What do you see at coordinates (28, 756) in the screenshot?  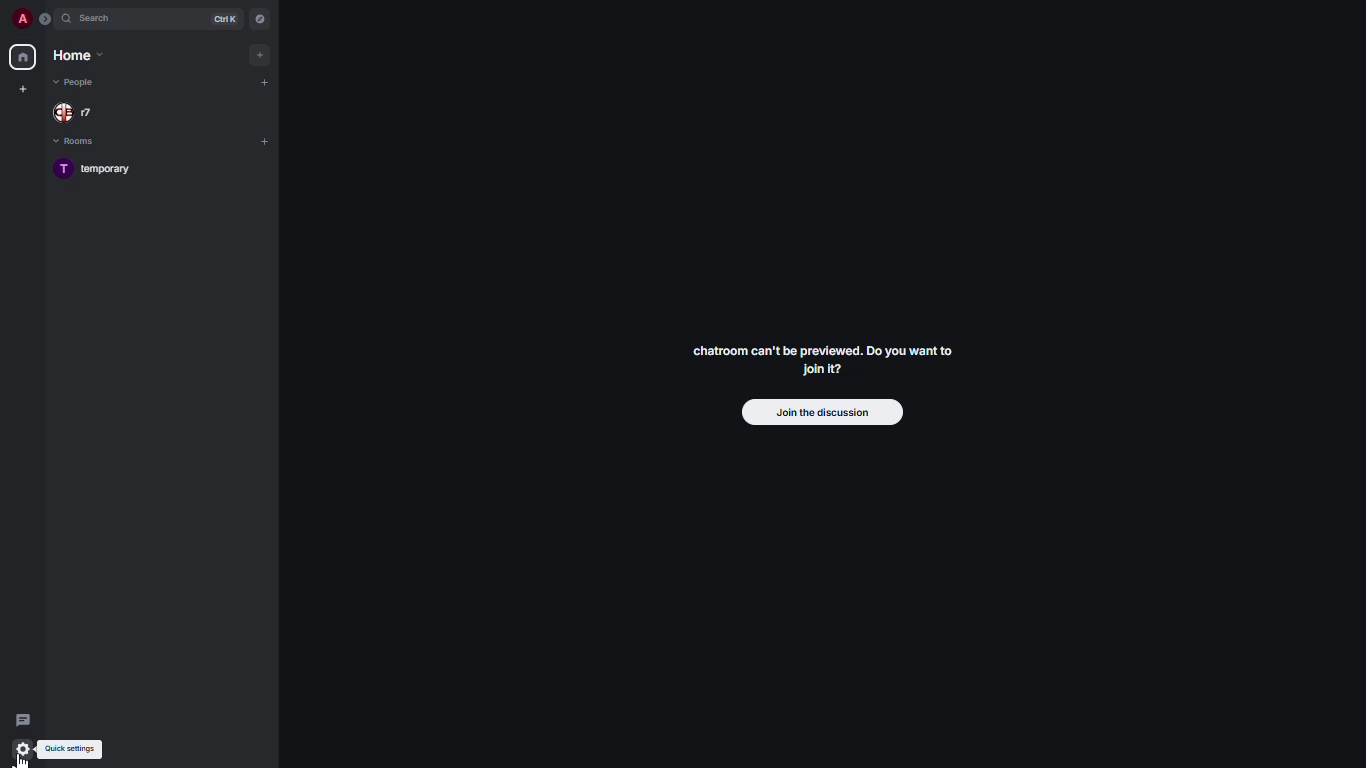 I see `cursor` at bounding box center [28, 756].